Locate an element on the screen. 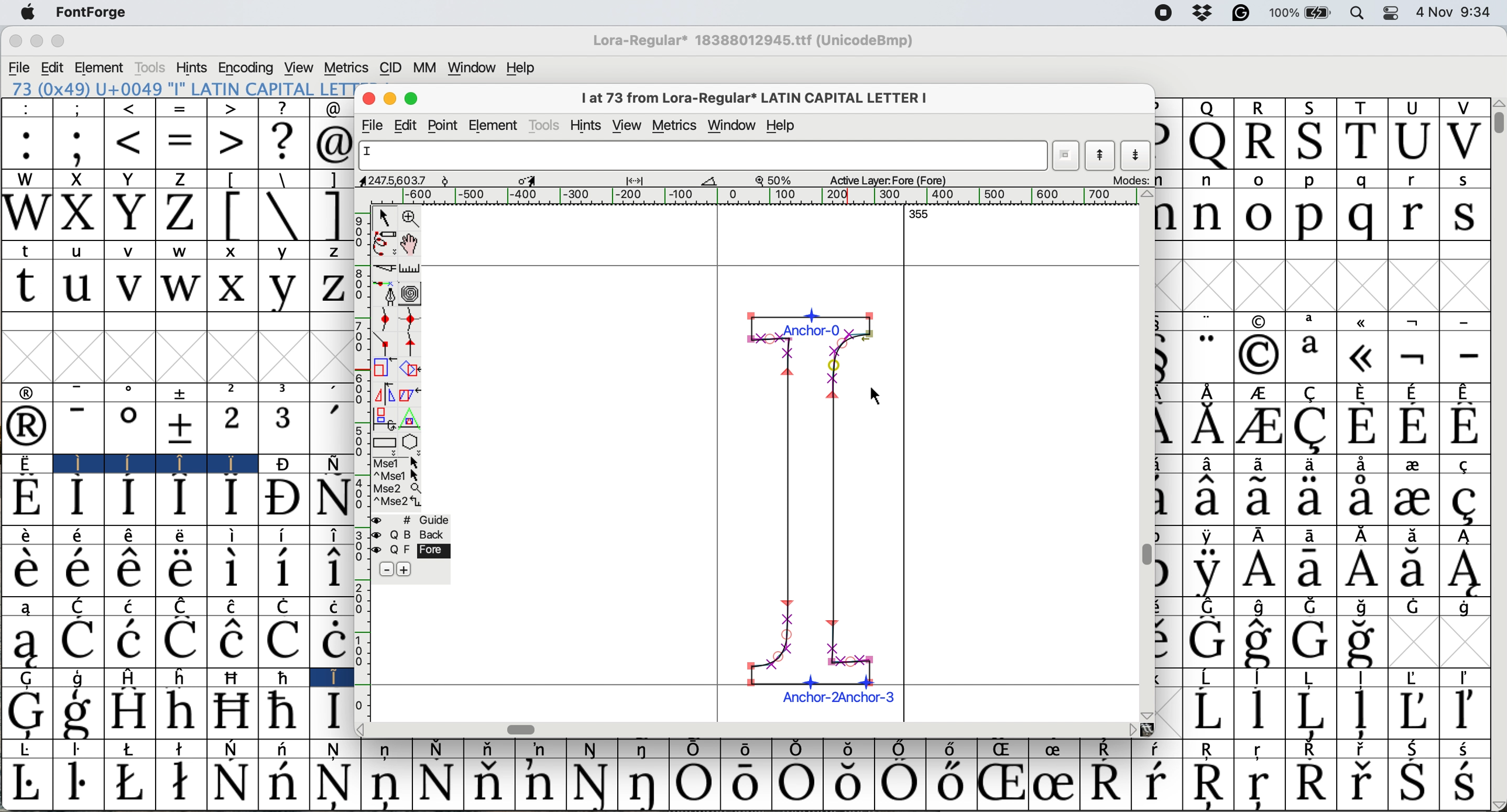 Image resolution: width=1507 pixels, height=812 pixels. element is located at coordinates (494, 124).